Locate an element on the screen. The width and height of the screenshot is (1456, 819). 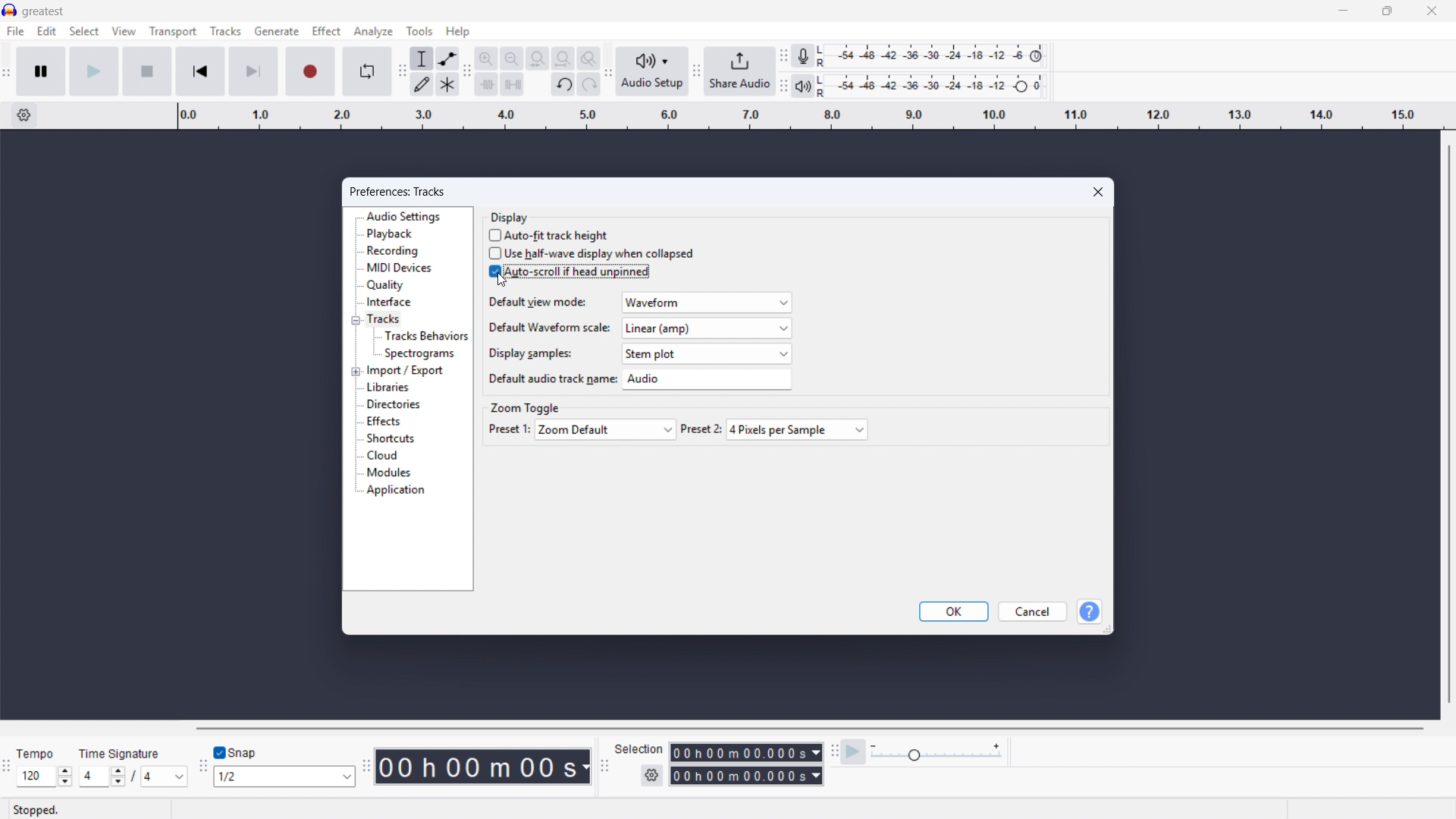
toggle snap is located at coordinates (238, 752).